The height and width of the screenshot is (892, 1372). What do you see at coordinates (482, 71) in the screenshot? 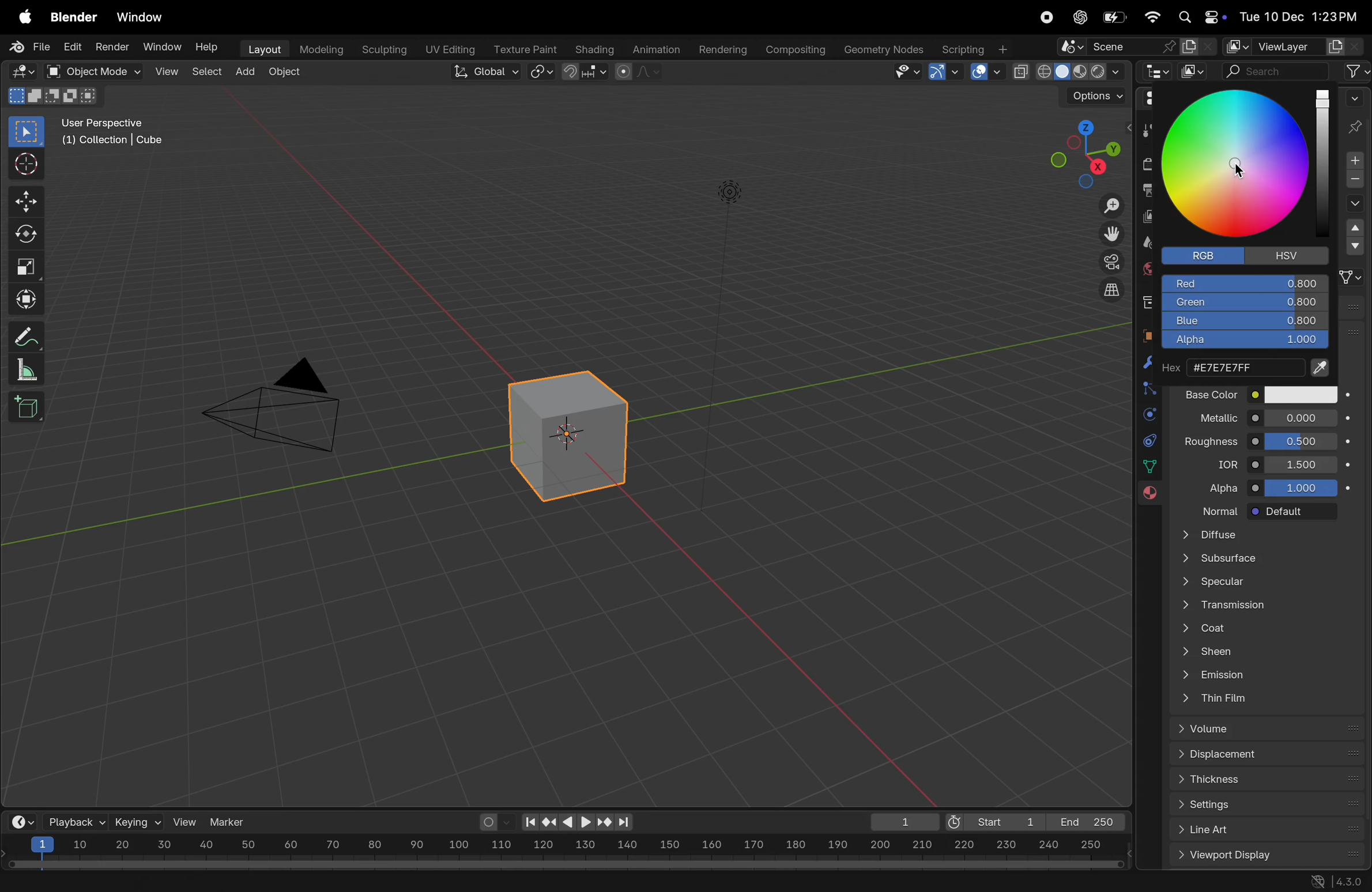
I see `Global` at bounding box center [482, 71].